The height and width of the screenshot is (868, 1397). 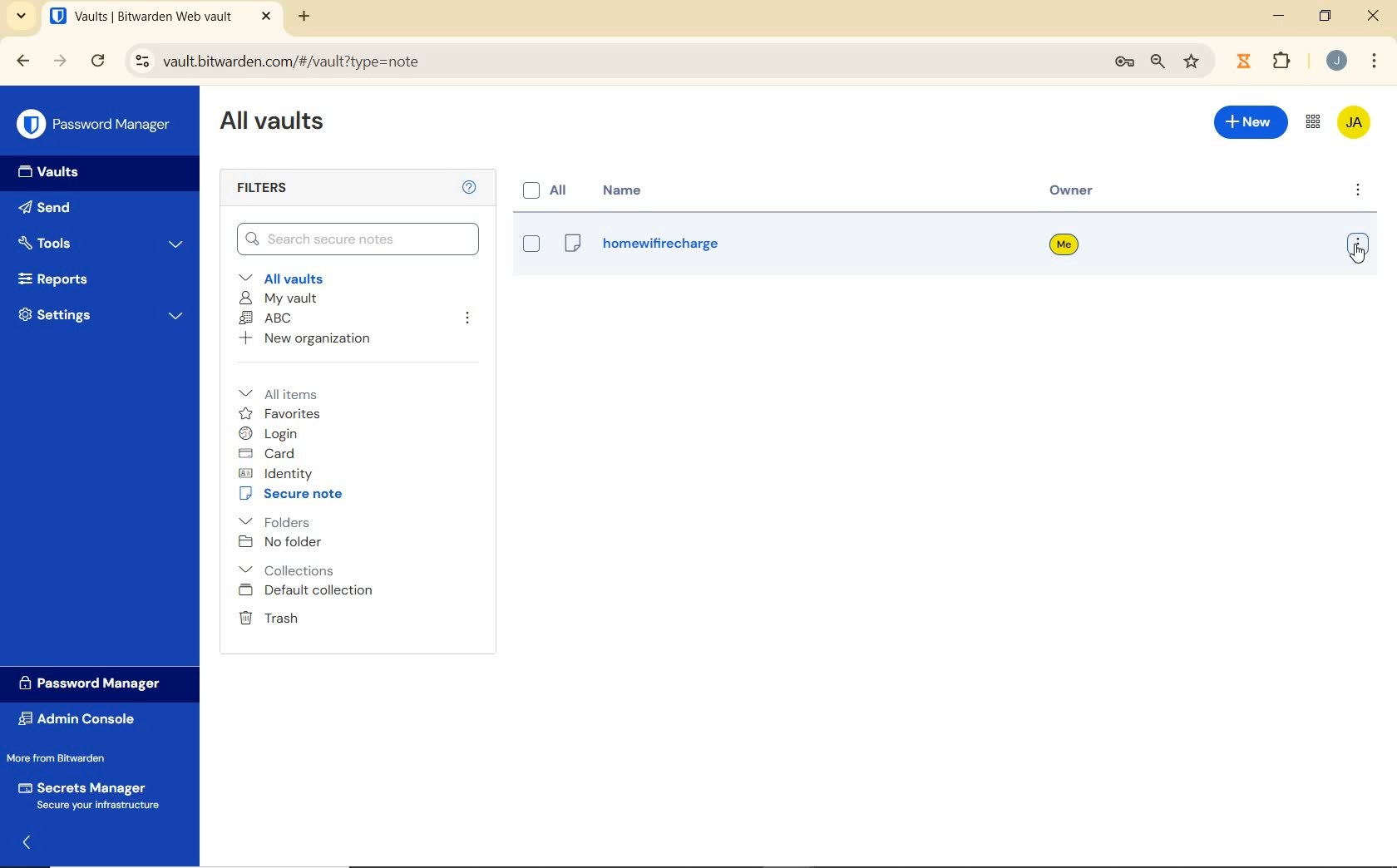 I want to click on card, so click(x=269, y=453).